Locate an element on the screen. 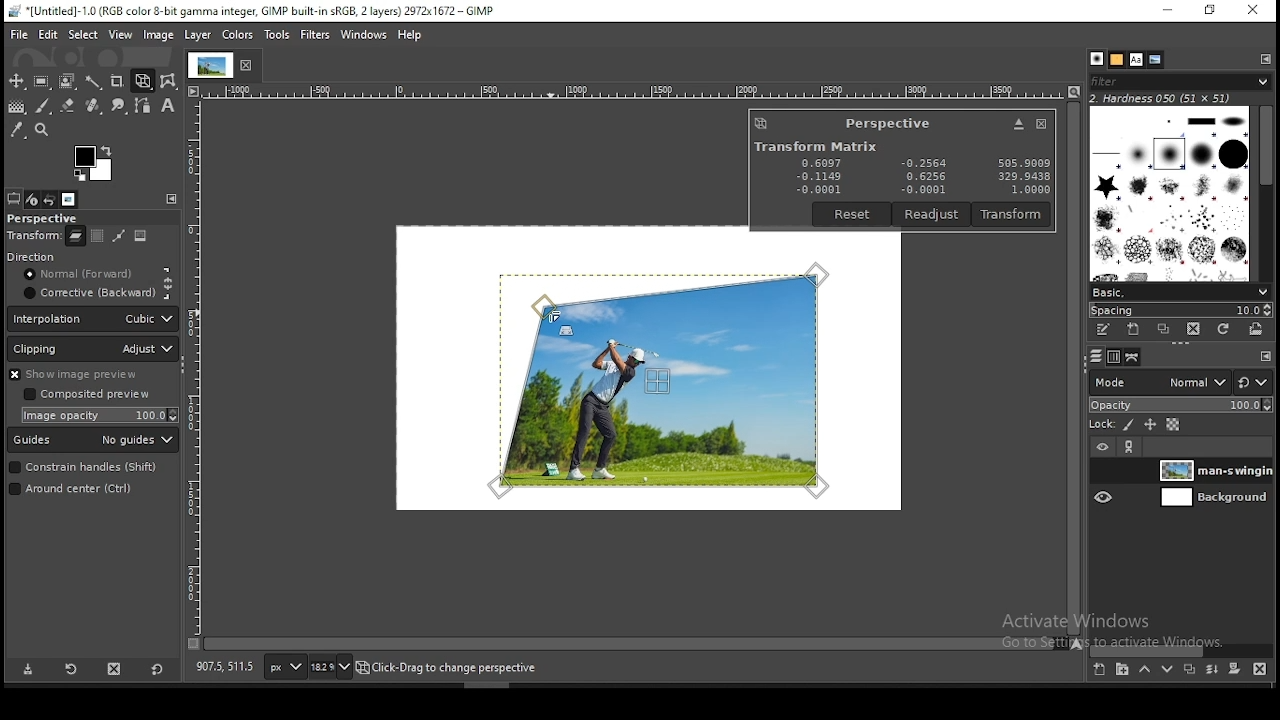  text tool is located at coordinates (168, 107).